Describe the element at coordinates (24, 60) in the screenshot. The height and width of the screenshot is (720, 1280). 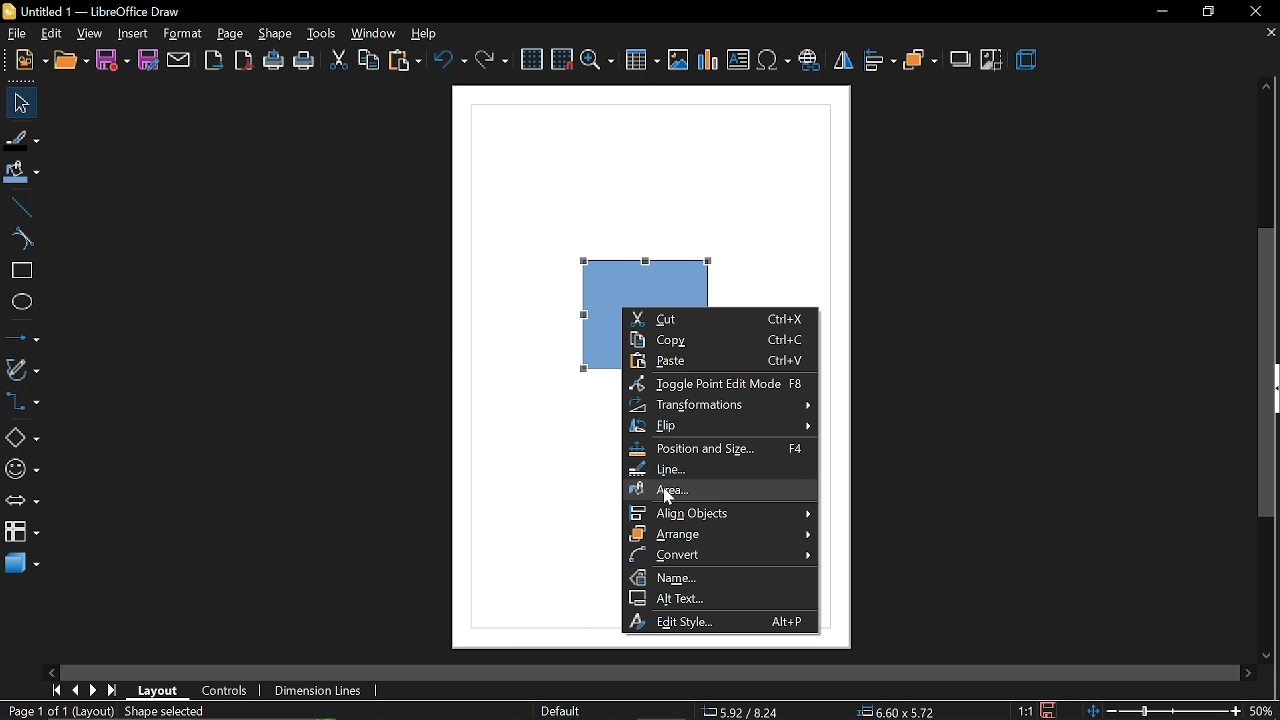
I see `New` at that location.